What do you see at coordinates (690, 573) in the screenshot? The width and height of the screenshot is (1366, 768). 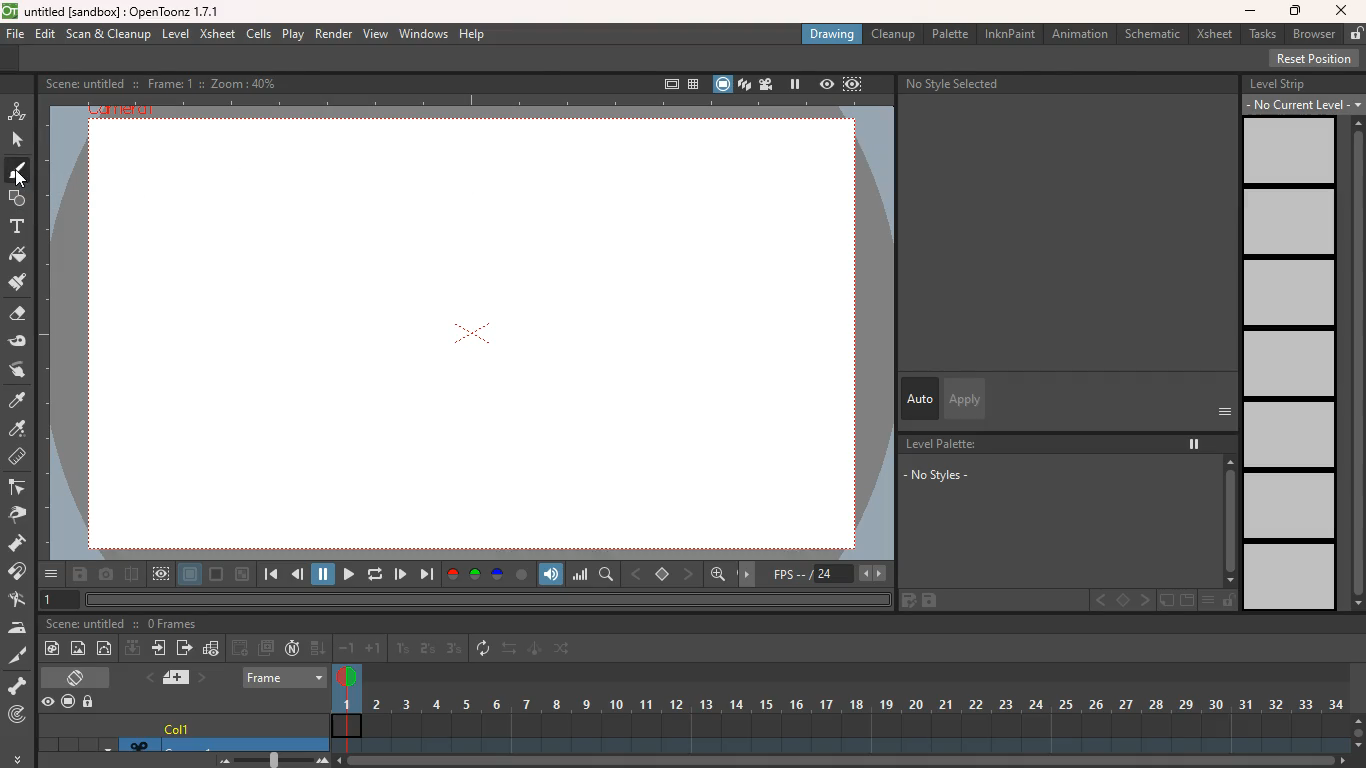 I see `front` at bounding box center [690, 573].